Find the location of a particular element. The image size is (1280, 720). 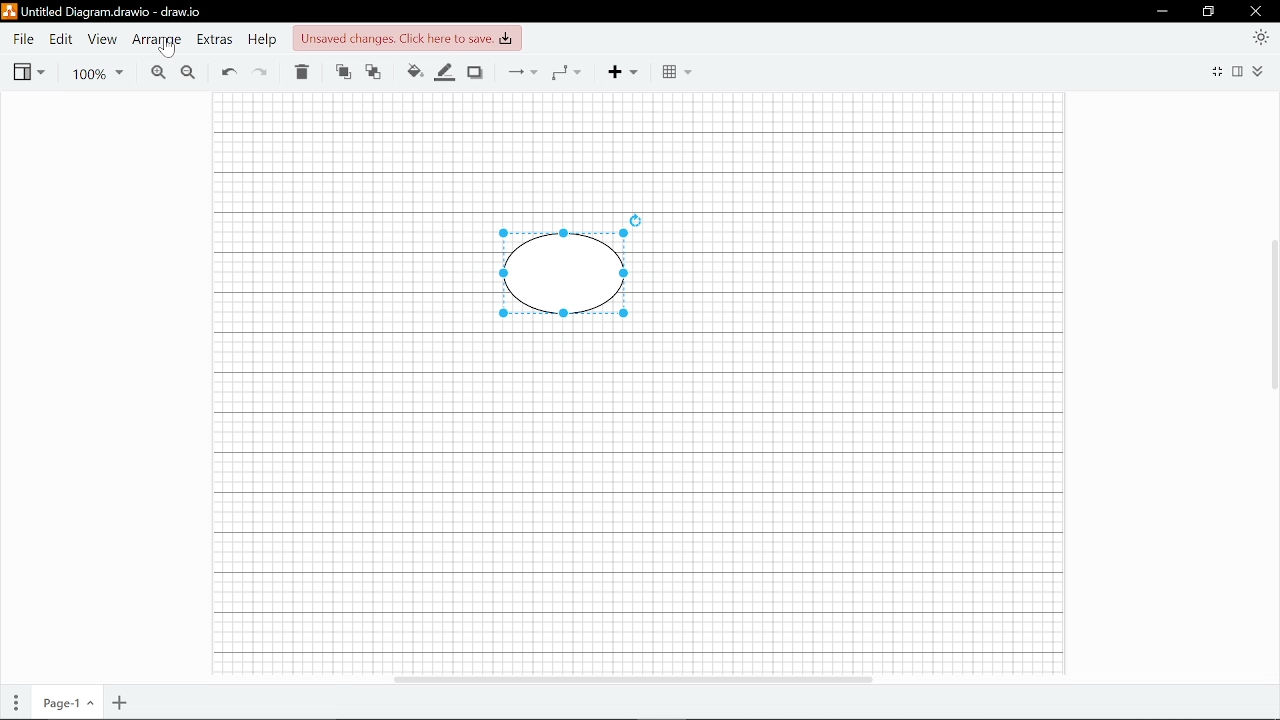

Delete is located at coordinates (301, 73).